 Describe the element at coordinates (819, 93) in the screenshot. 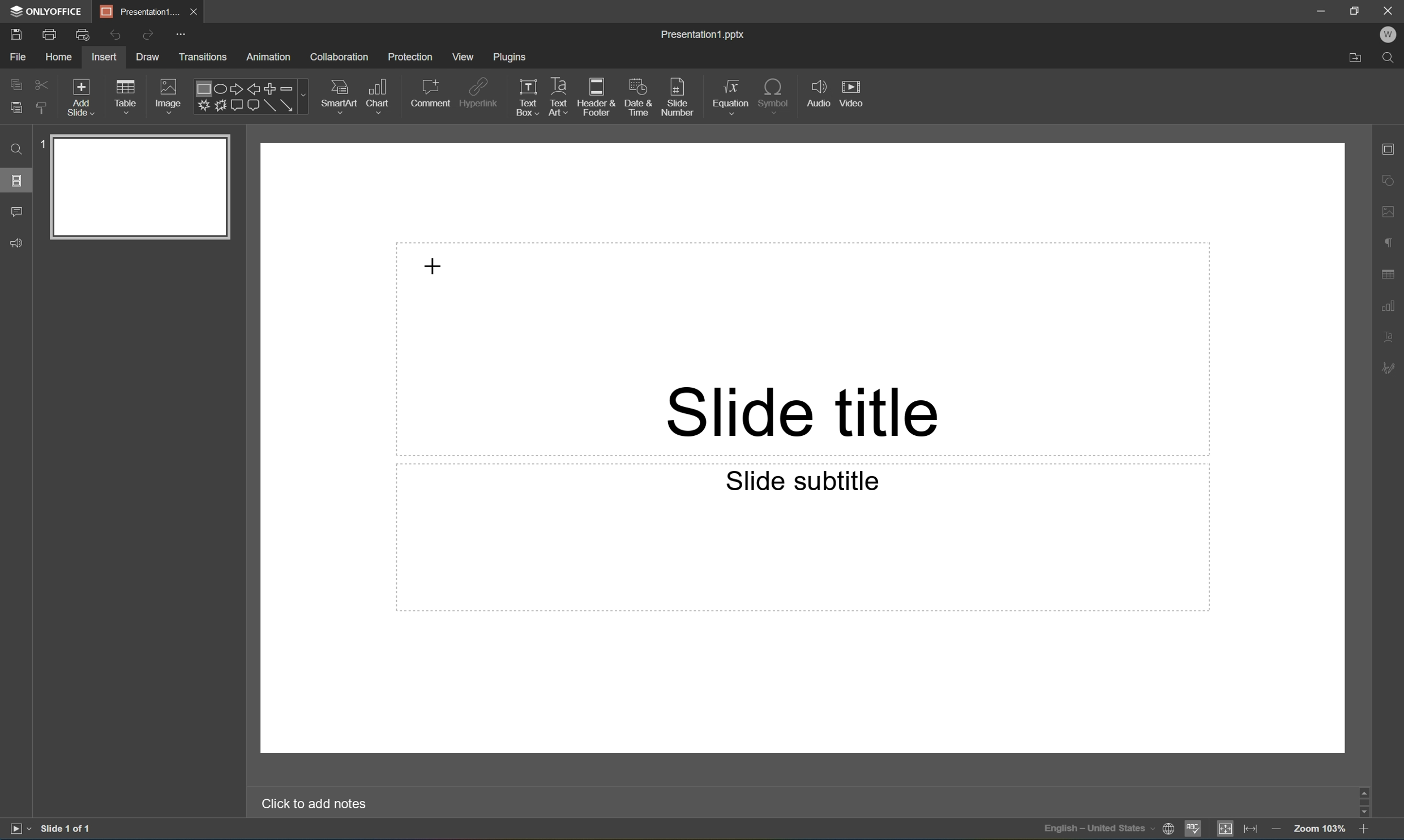

I see `Audio` at that location.